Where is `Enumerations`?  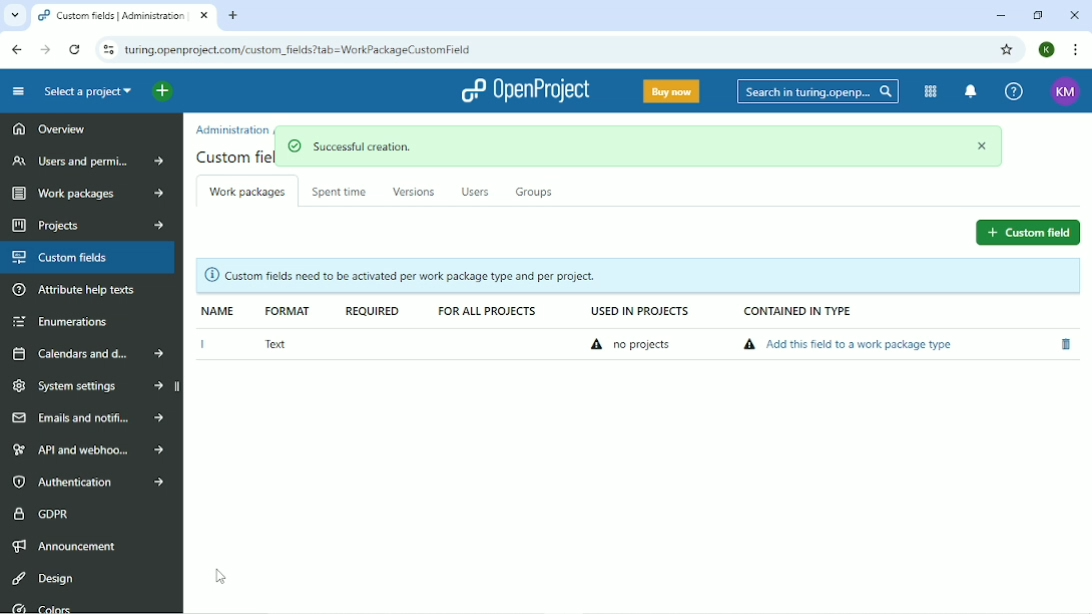 Enumerations is located at coordinates (59, 322).